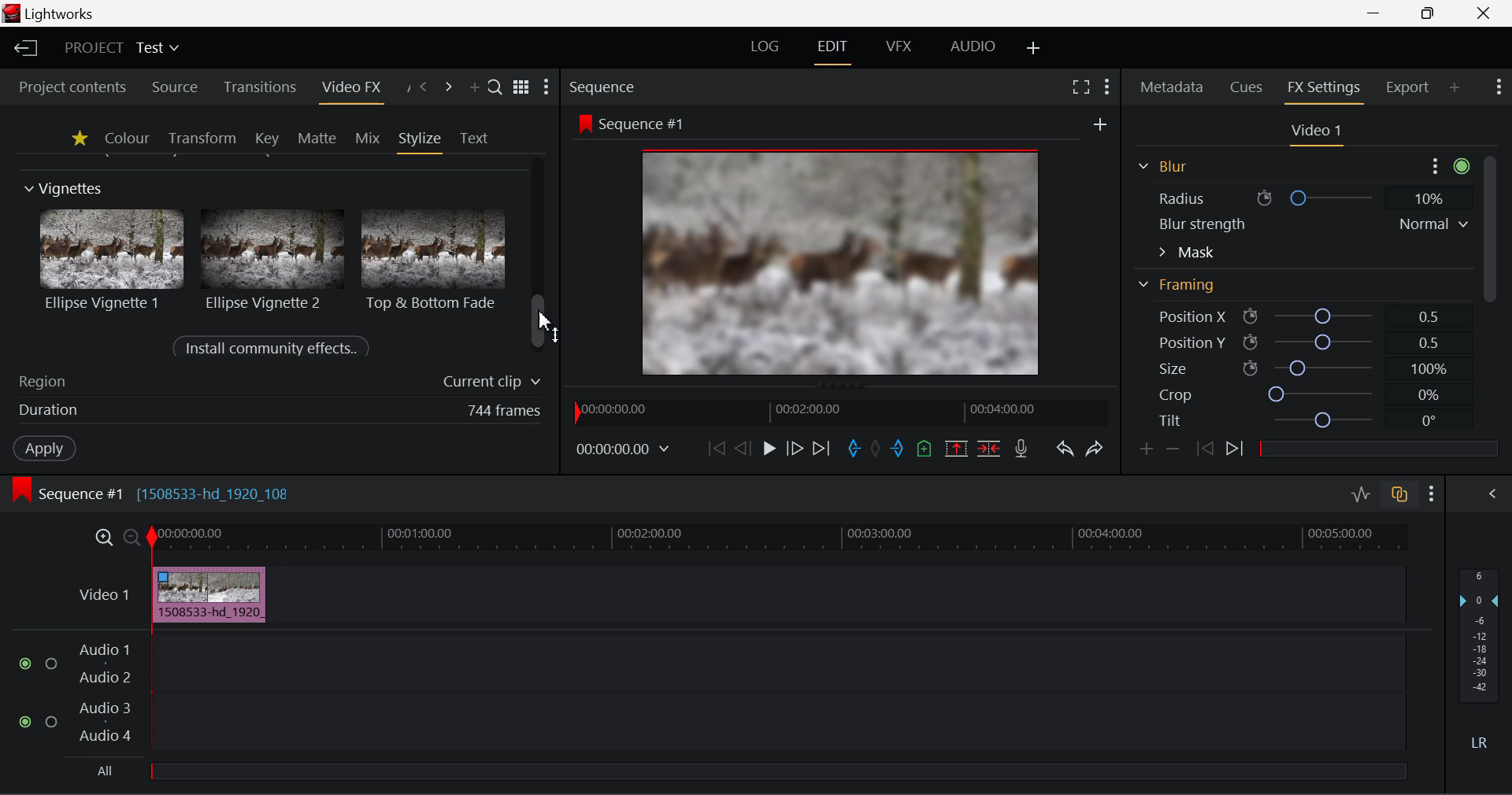 The image size is (1512, 795). What do you see at coordinates (77, 138) in the screenshot?
I see `Favourites` at bounding box center [77, 138].